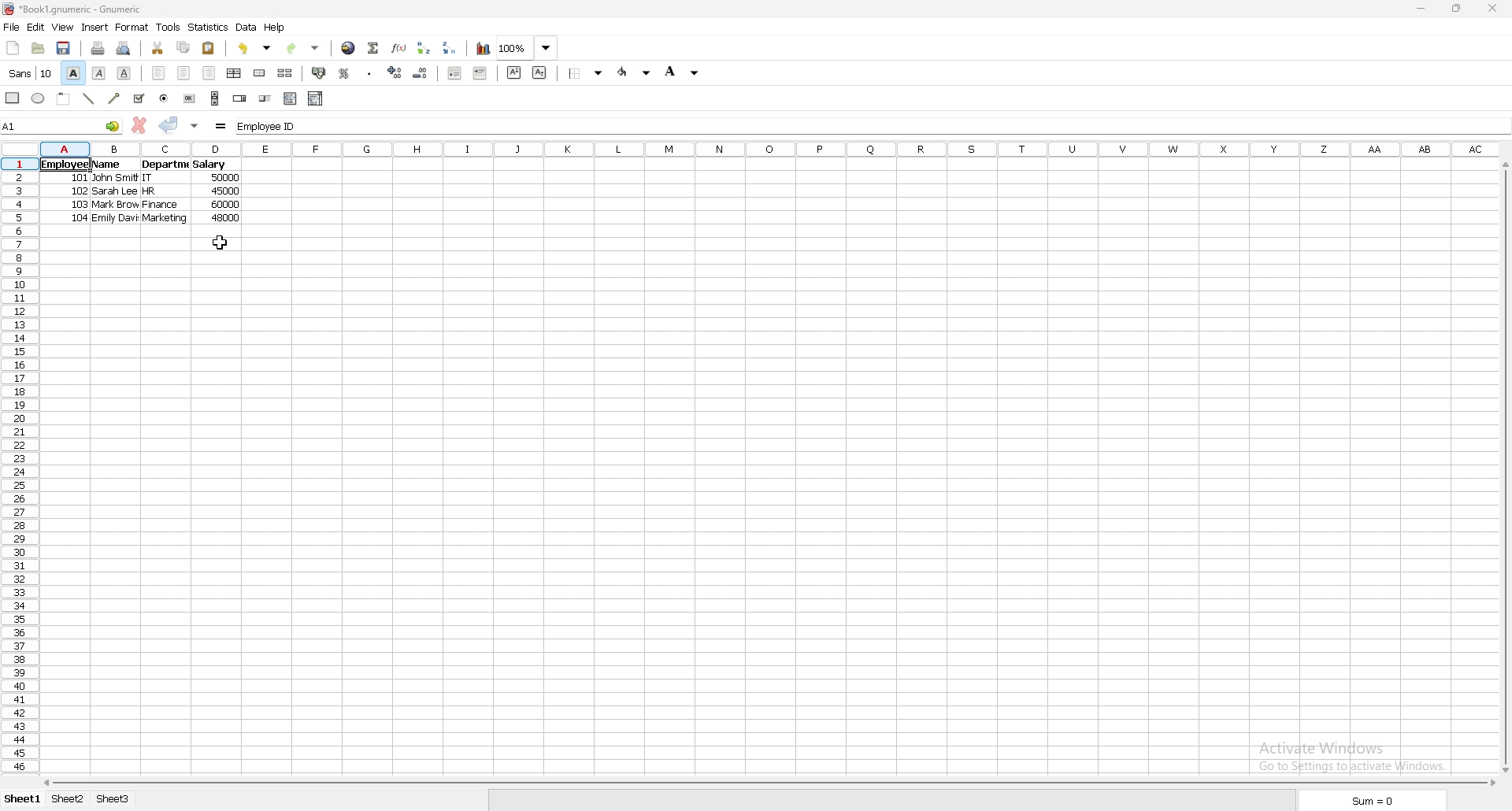  What do you see at coordinates (95, 28) in the screenshot?
I see `insert` at bounding box center [95, 28].